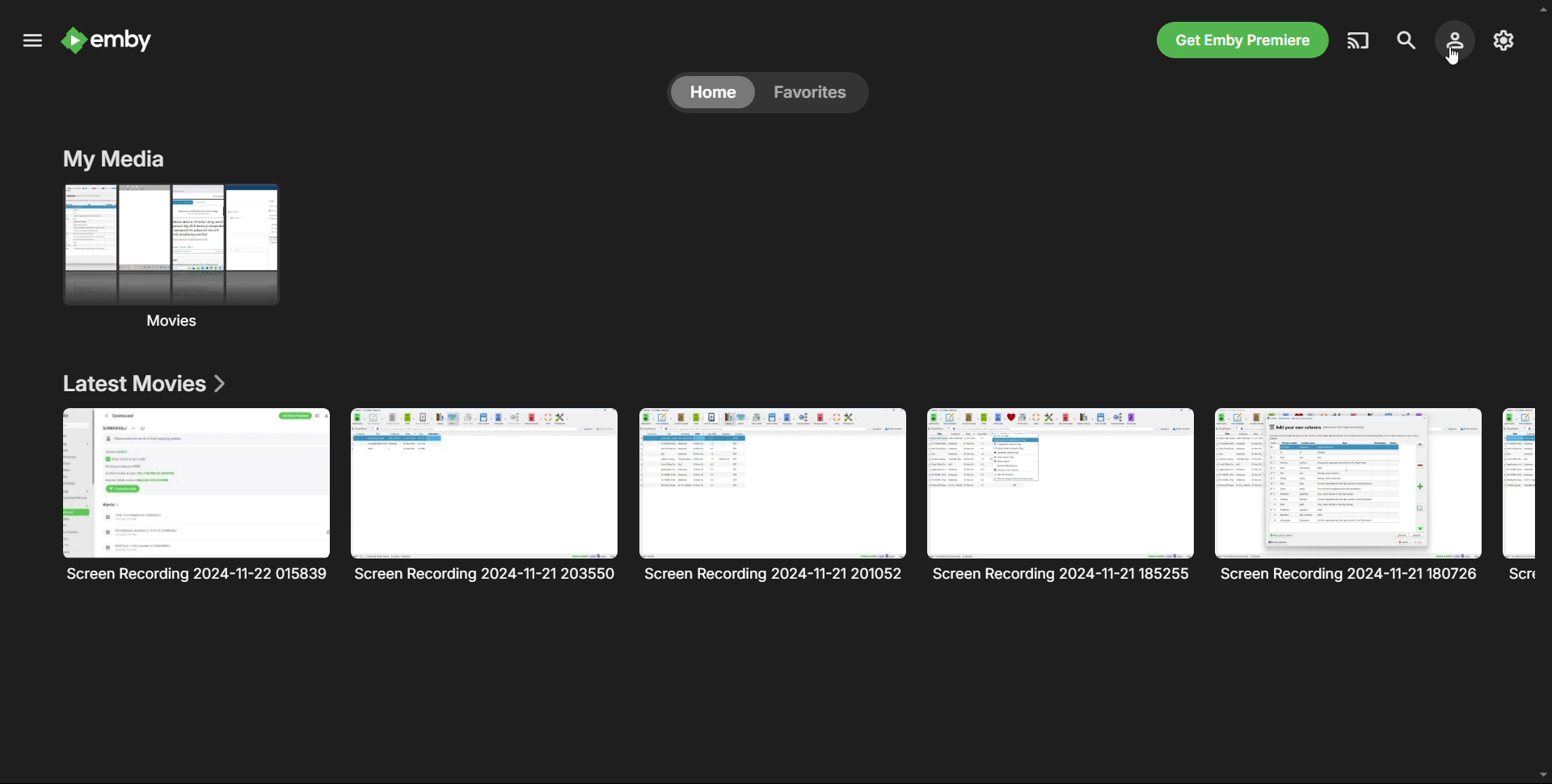 The image size is (1552, 784). What do you see at coordinates (774, 495) in the screenshot?
I see `Movie` at bounding box center [774, 495].